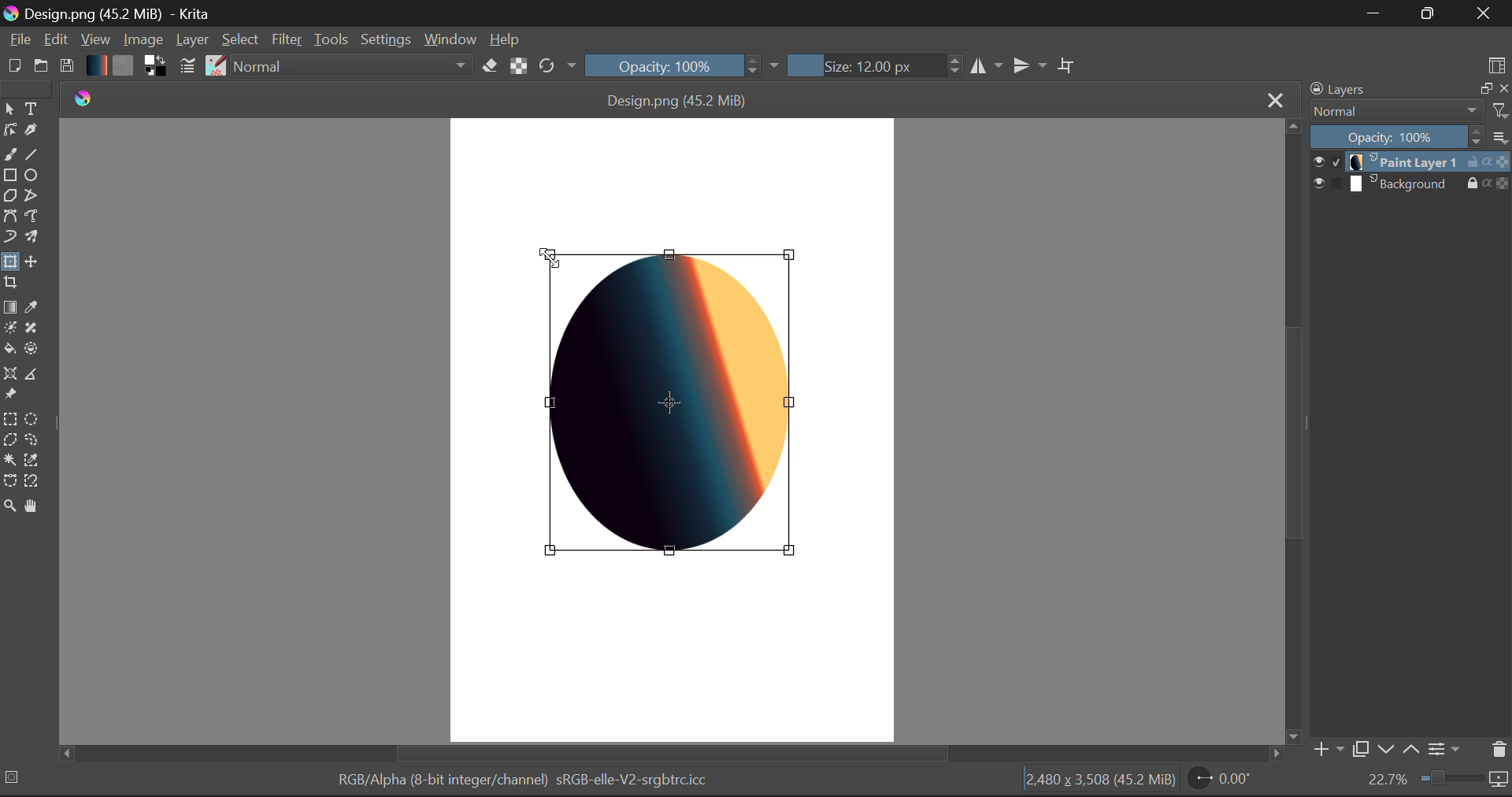 The width and height of the screenshot is (1512, 797). What do you see at coordinates (505, 38) in the screenshot?
I see `Help` at bounding box center [505, 38].